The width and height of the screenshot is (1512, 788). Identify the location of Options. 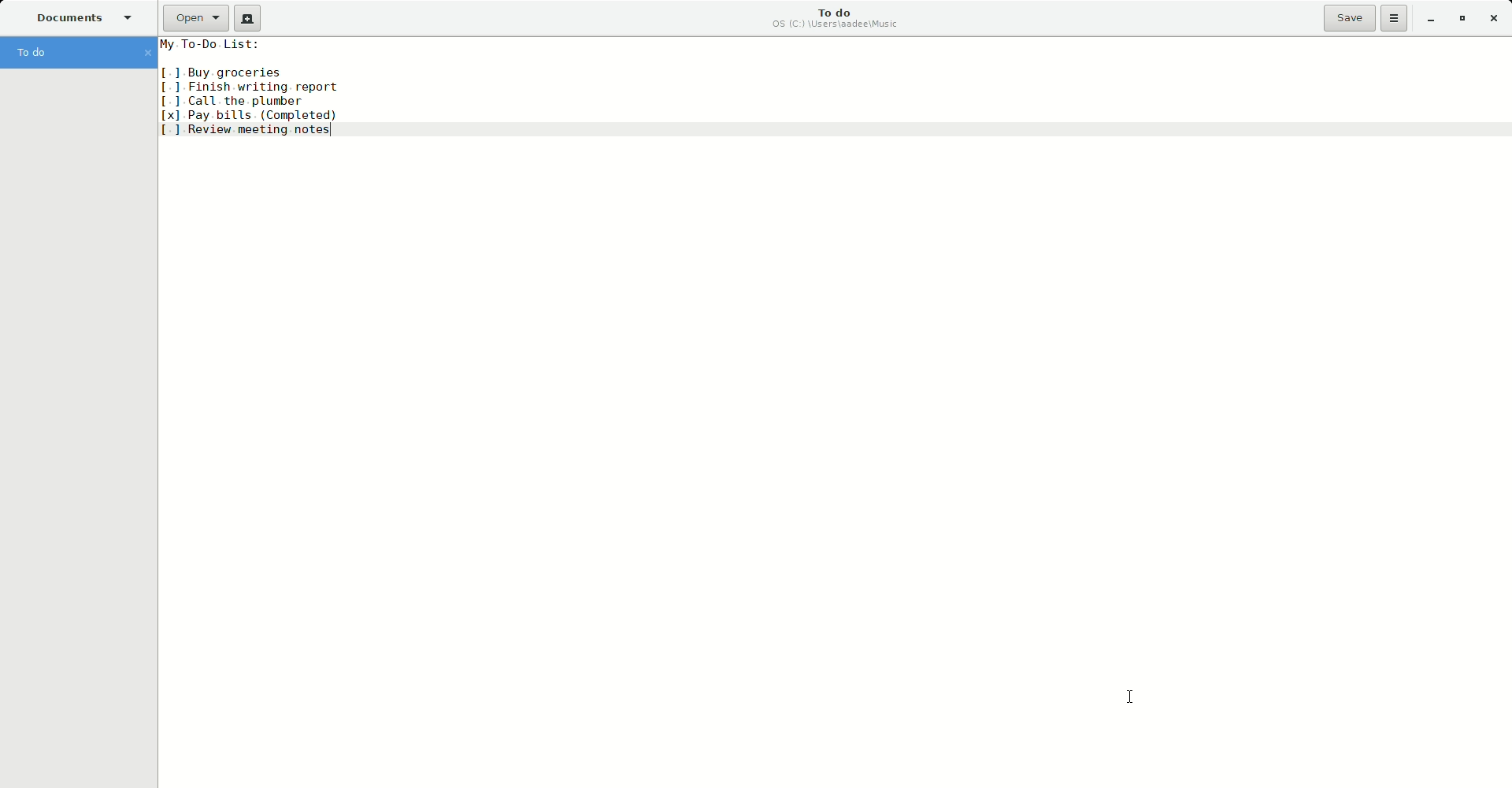
(1397, 20).